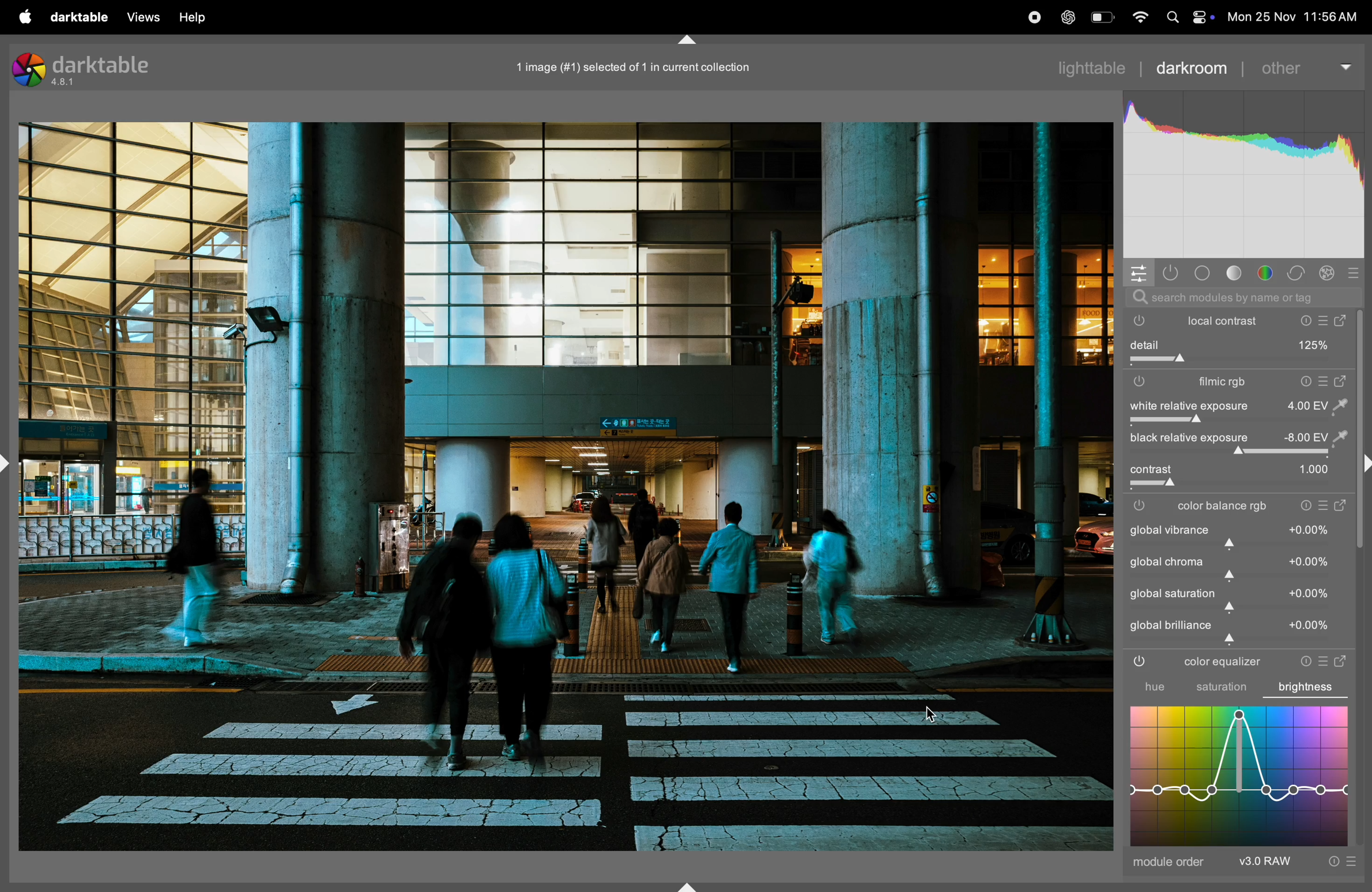 The height and width of the screenshot is (892, 1372). Describe the element at coordinates (1243, 175) in the screenshot. I see `mns` at that location.